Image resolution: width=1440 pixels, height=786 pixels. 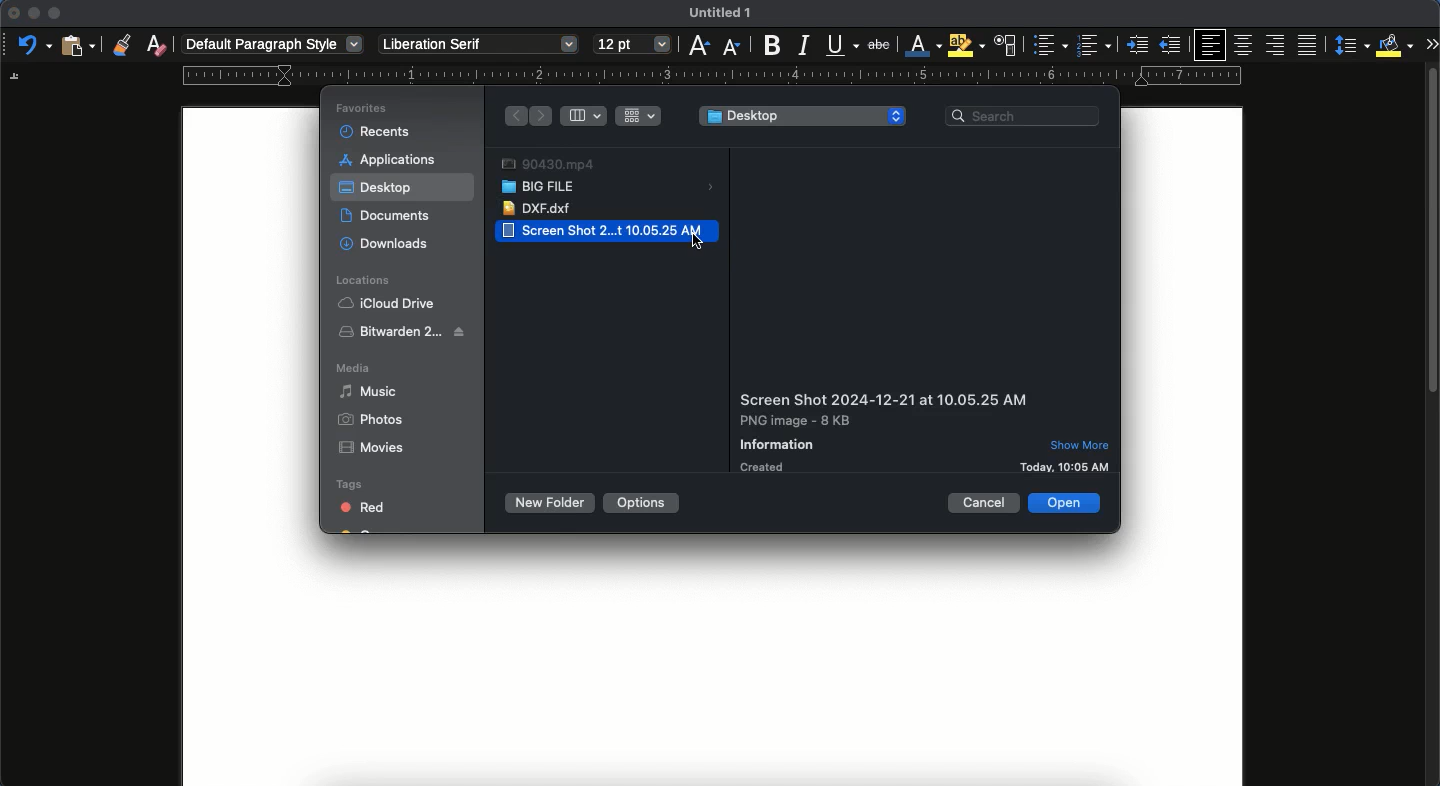 I want to click on bitwarden 2.., so click(x=404, y=331).